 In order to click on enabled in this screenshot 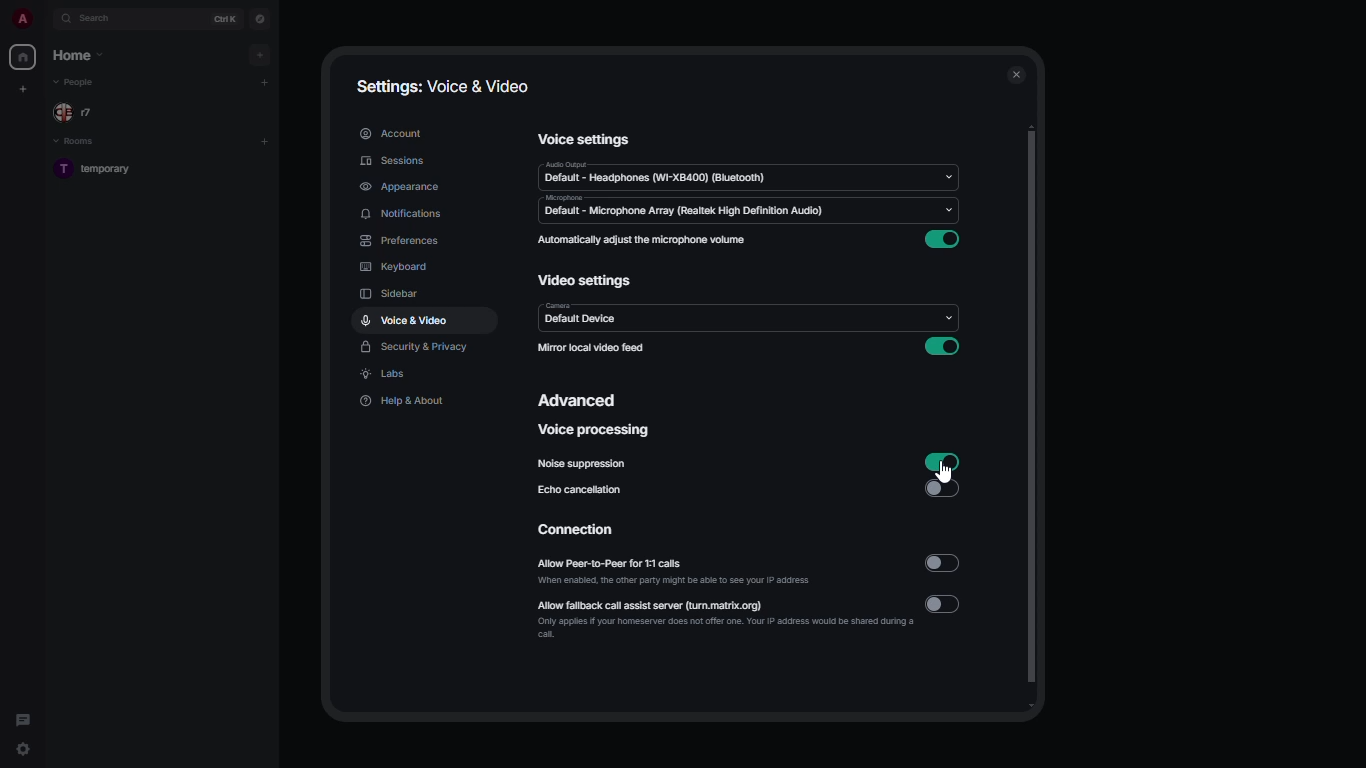, I will do `click(943, 346)`.